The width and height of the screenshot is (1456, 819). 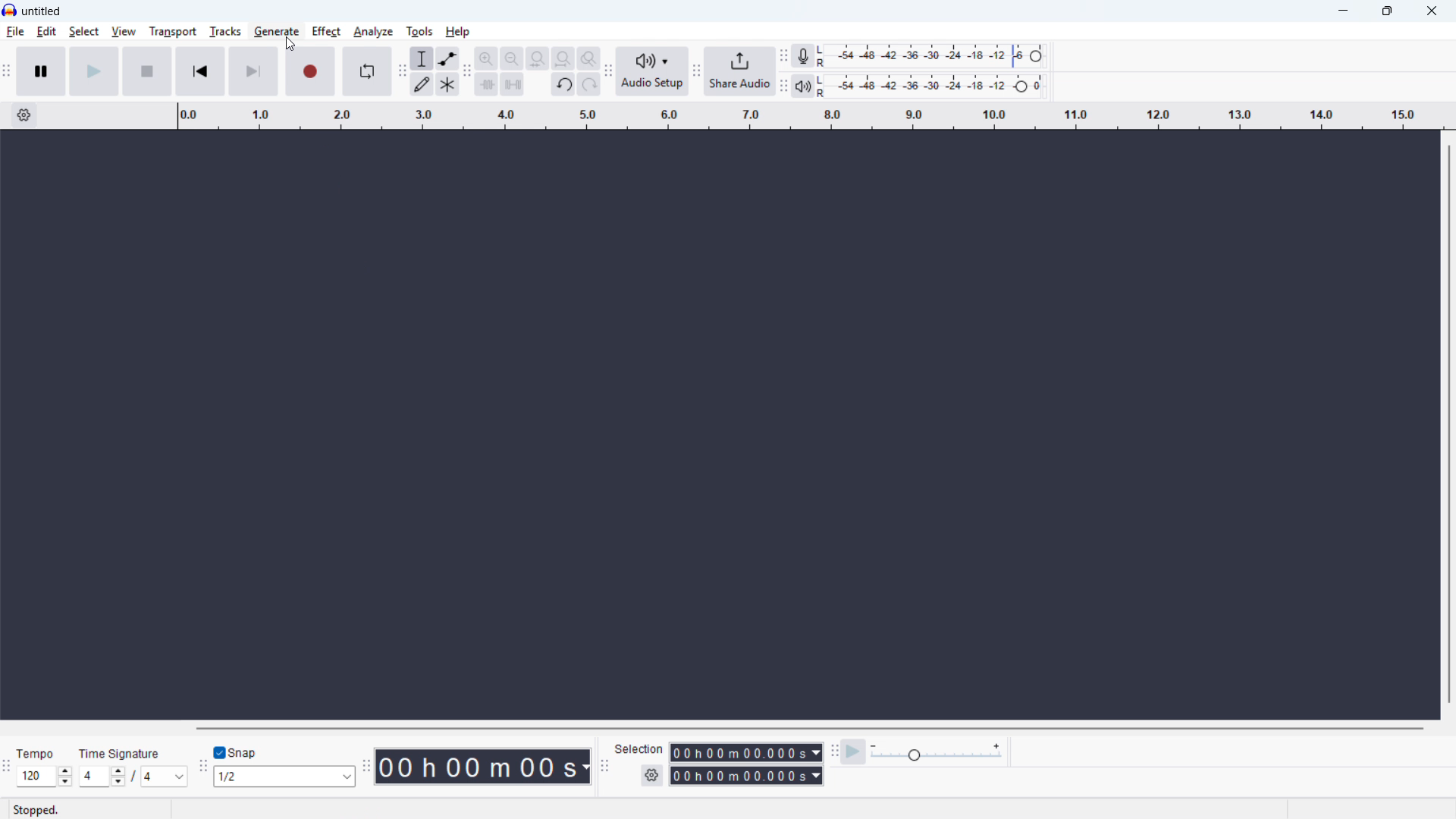 I want to click on Close , so click(x=1430, y=11).